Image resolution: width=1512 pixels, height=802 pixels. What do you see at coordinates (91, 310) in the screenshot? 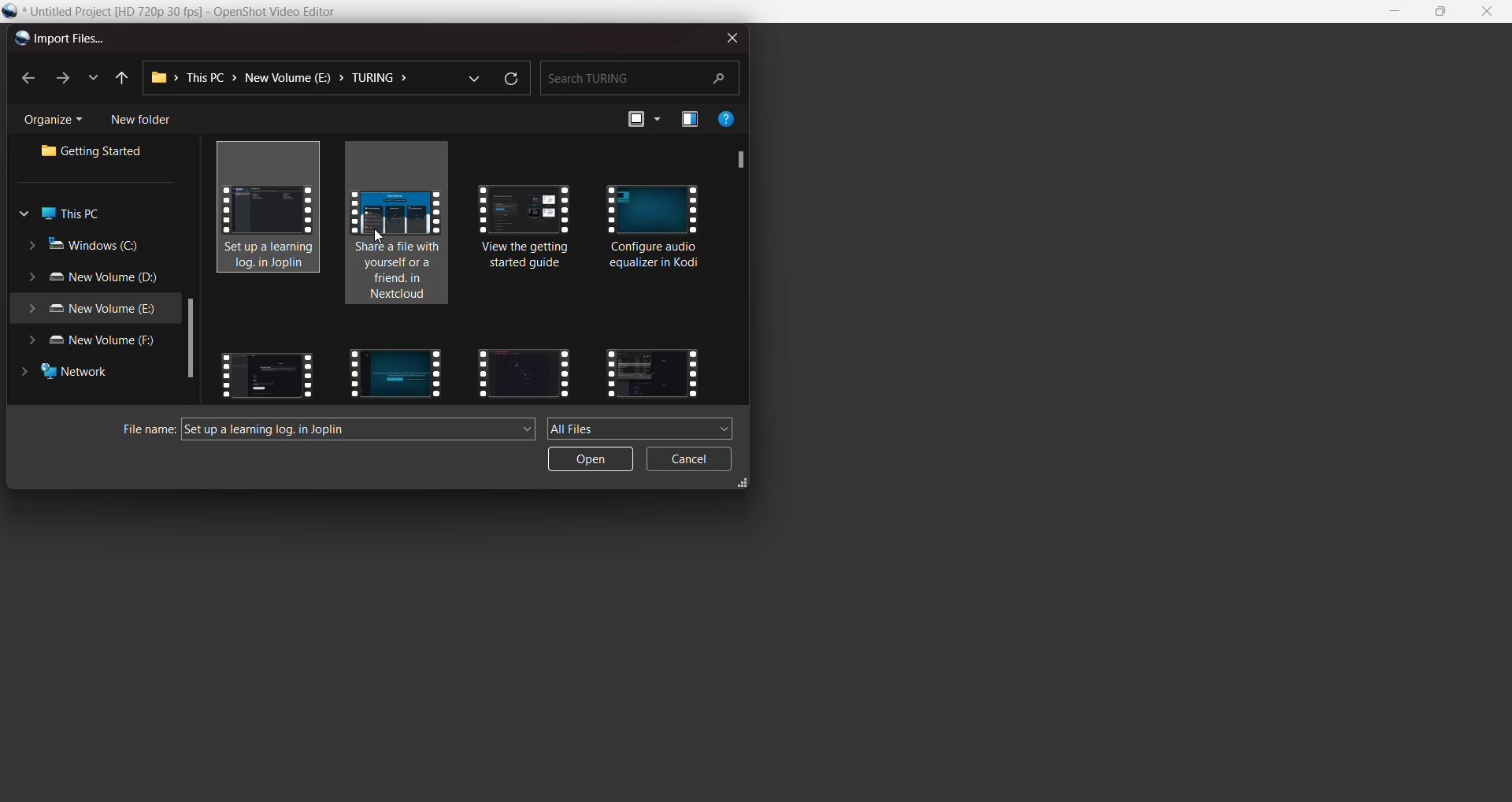
I see `new volume e` at bounding box center [91, 310].